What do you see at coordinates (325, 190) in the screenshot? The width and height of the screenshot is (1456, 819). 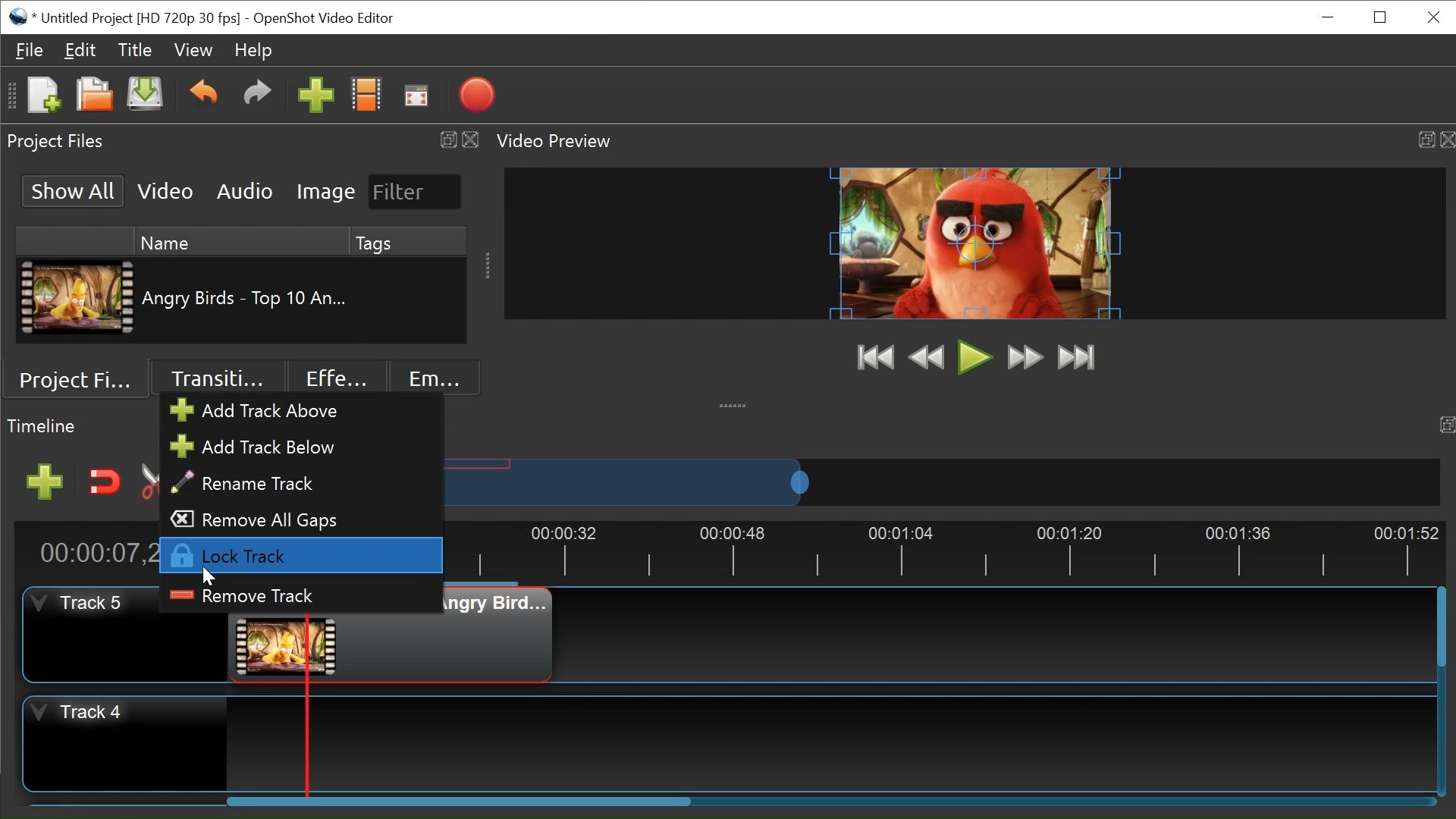 I see `Image` at bounding box center [325, 190].